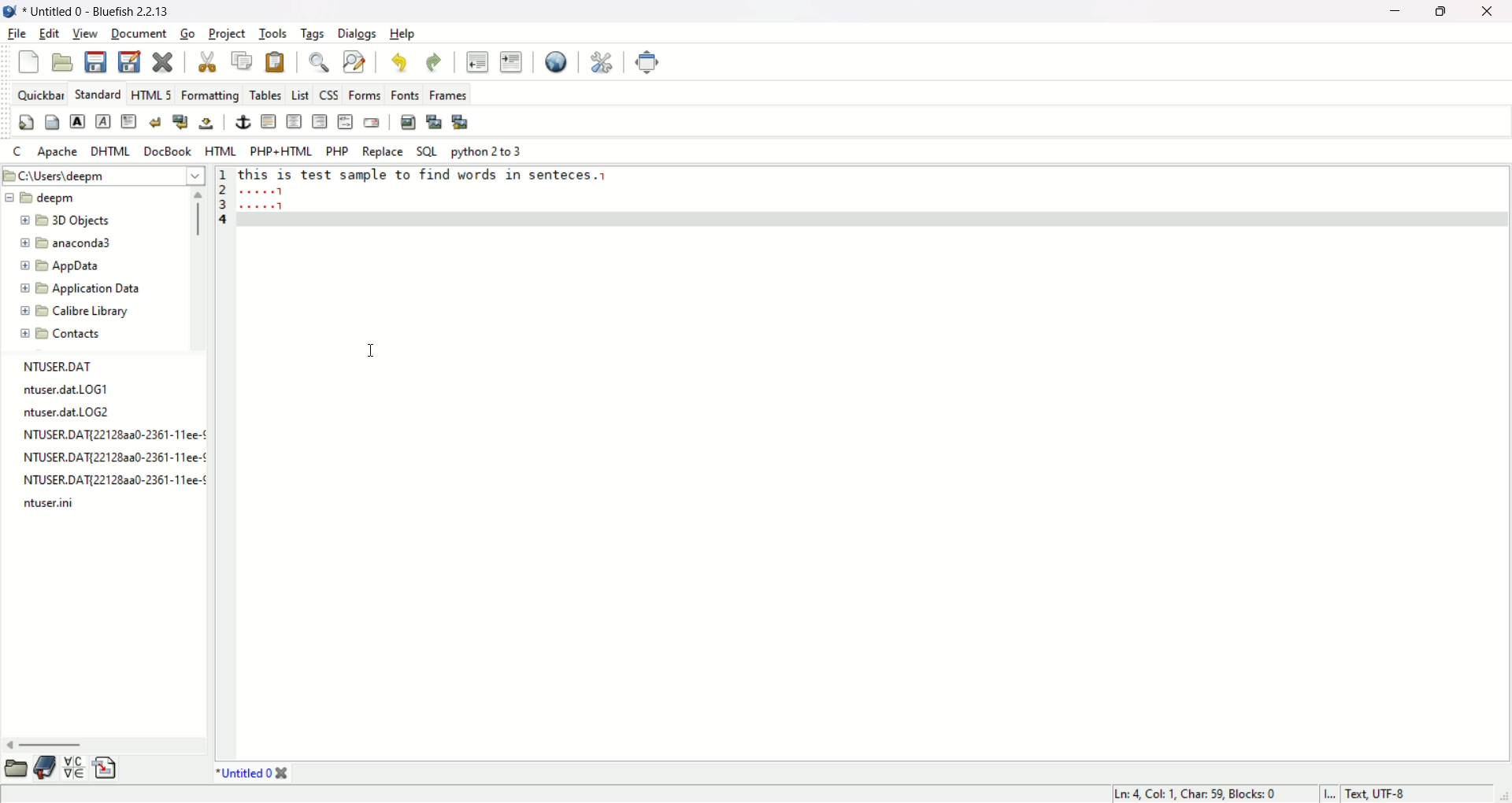 The image size is (1512, 803). Describe the element at coordinates (199, 269) in the screenshot. I see `scroll bar` at that location.